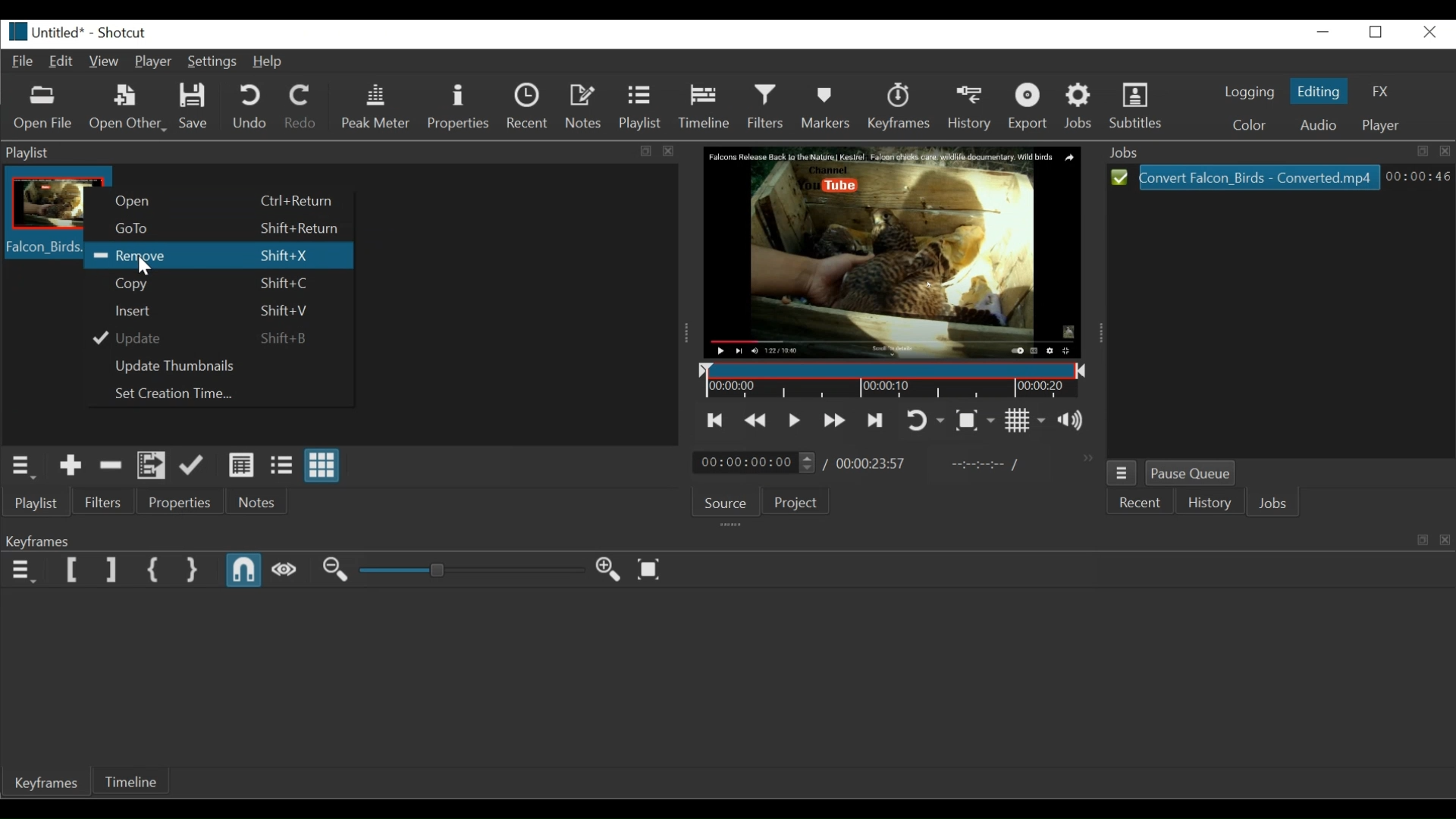  Describe the element at coordinates (925, 420) in the screenshot. I see `Toggle player looping` at that location.